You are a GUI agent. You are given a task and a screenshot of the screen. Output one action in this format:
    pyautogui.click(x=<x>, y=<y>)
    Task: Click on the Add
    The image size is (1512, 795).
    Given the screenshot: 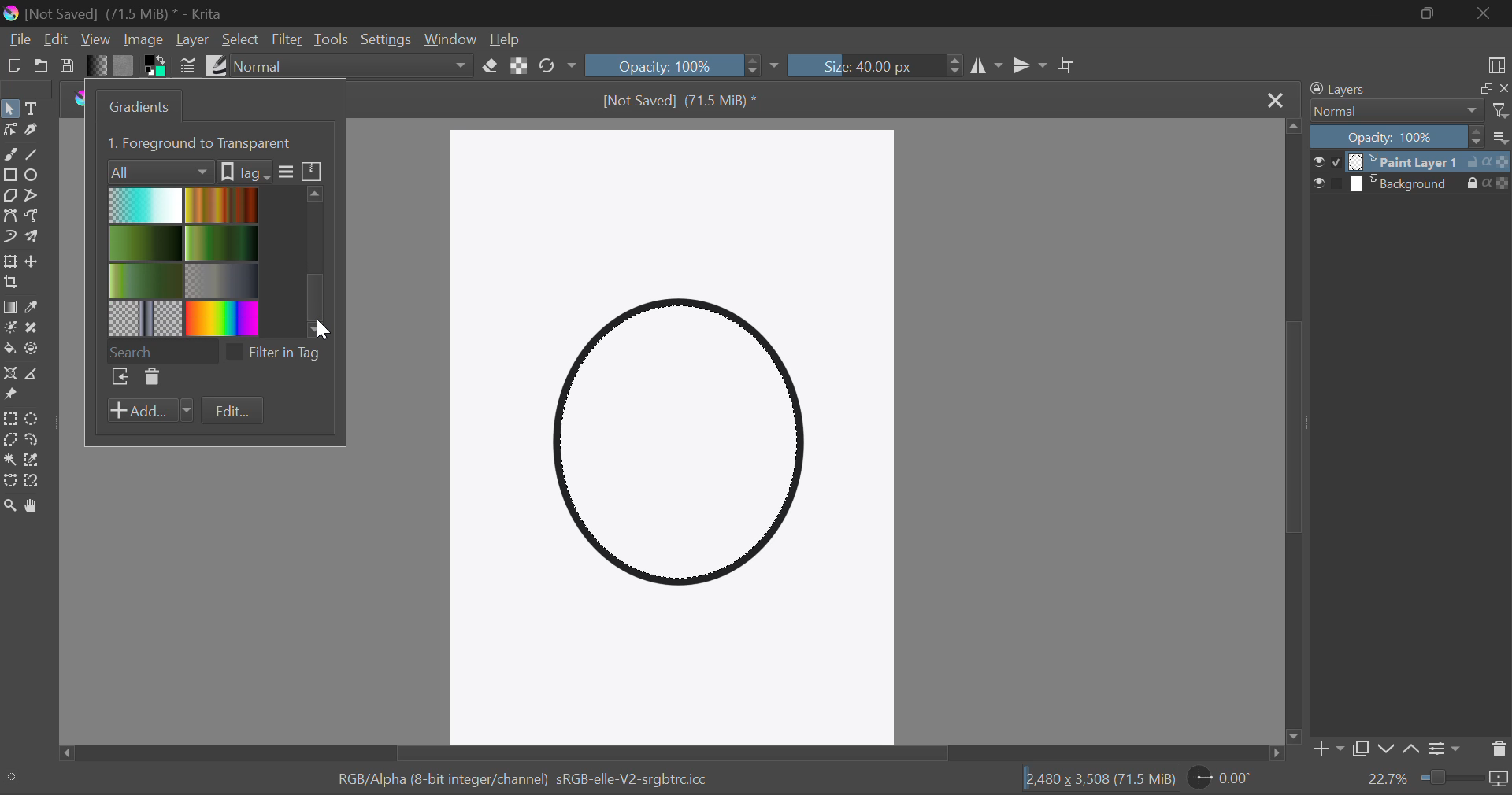 What is the action you would take?
    pyautogui.click(x=151, y=410)
    